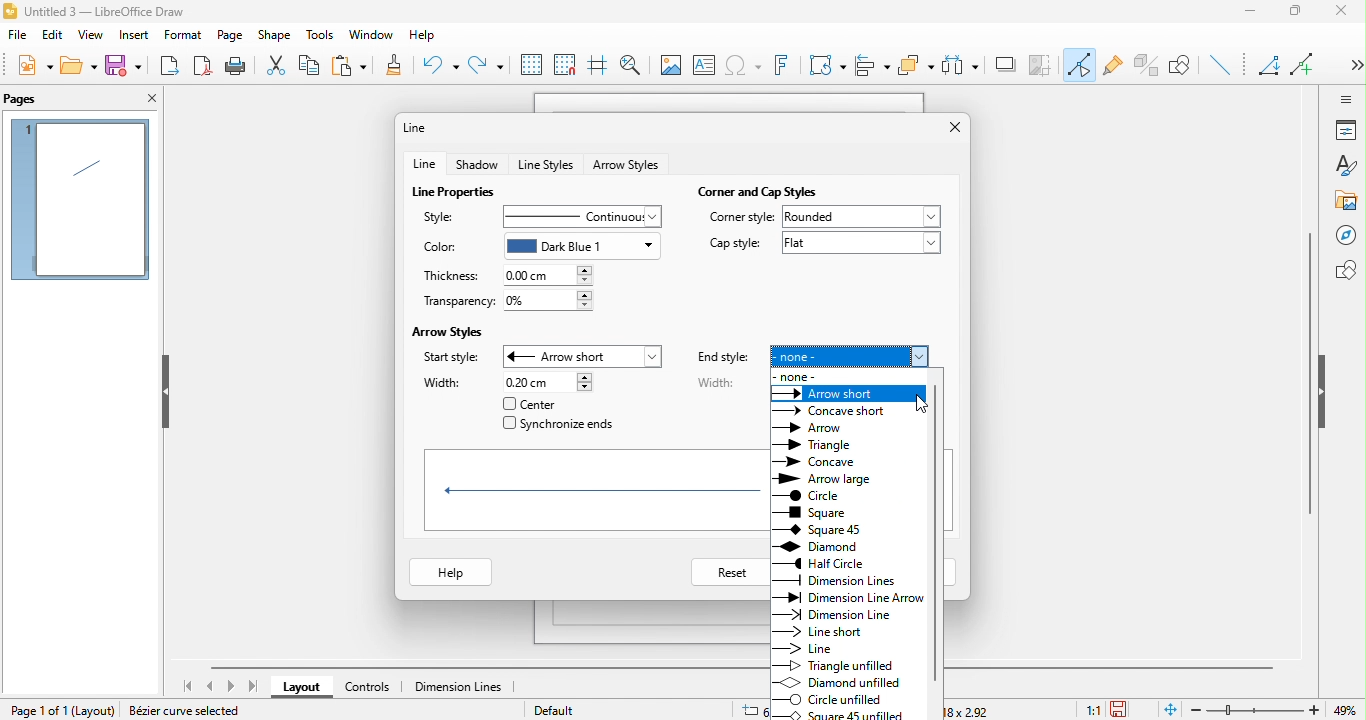 This screenshot has width=1366, height=720. What do you see at coordinates (533, 405) in the screenshot?
I see `center` at bounding box center [533, 405].